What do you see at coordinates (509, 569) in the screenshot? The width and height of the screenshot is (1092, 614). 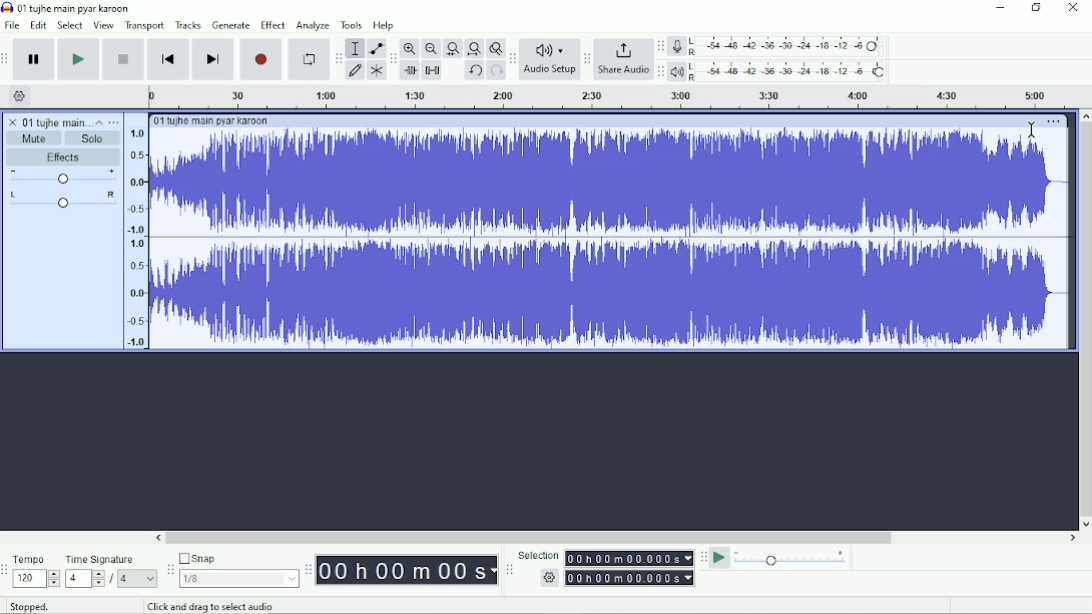 I see `Audacity selection toolbar` at bounding box center [509, 569].